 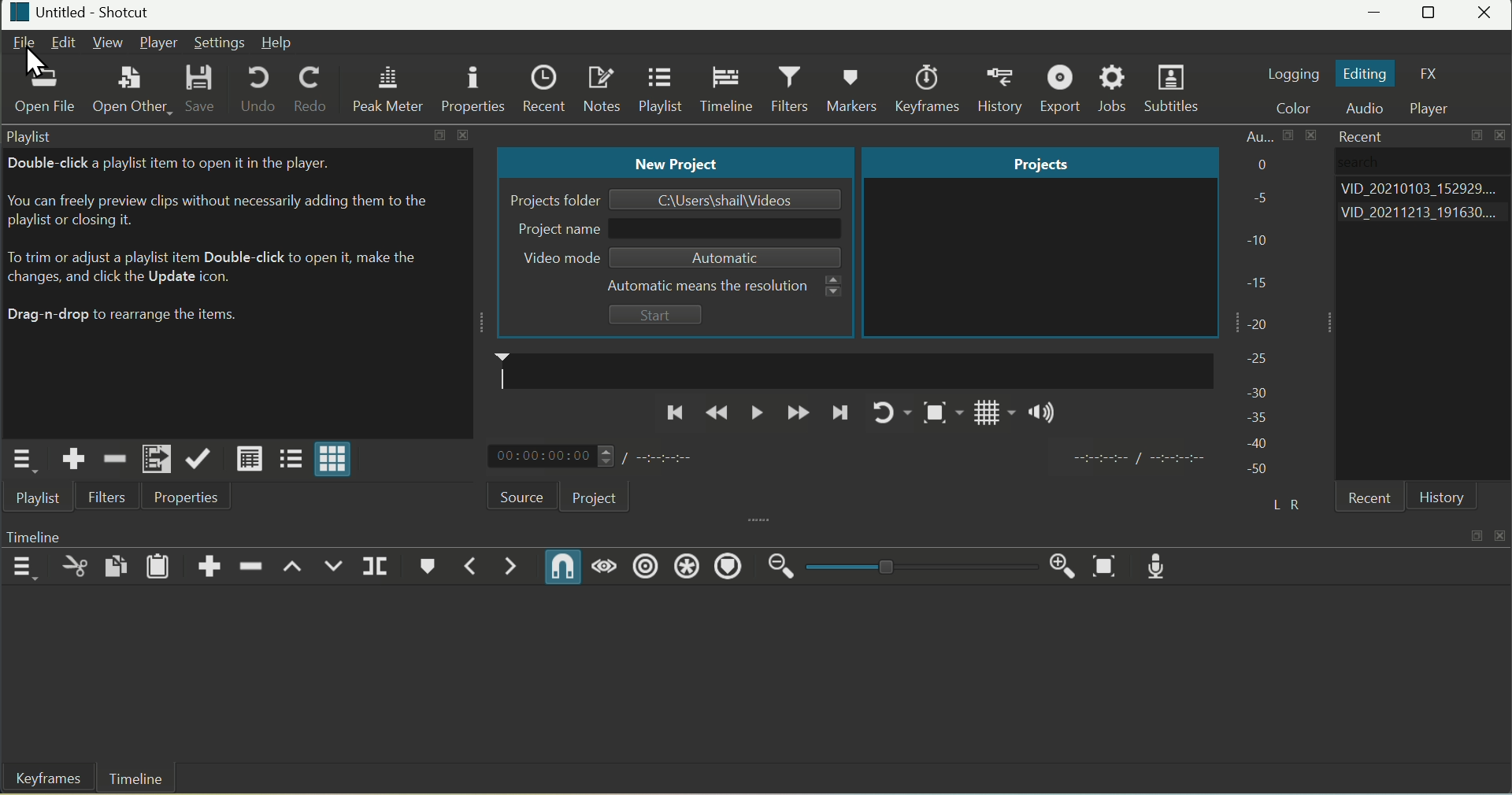 I want to click on Help, so click(x=277, y=43).